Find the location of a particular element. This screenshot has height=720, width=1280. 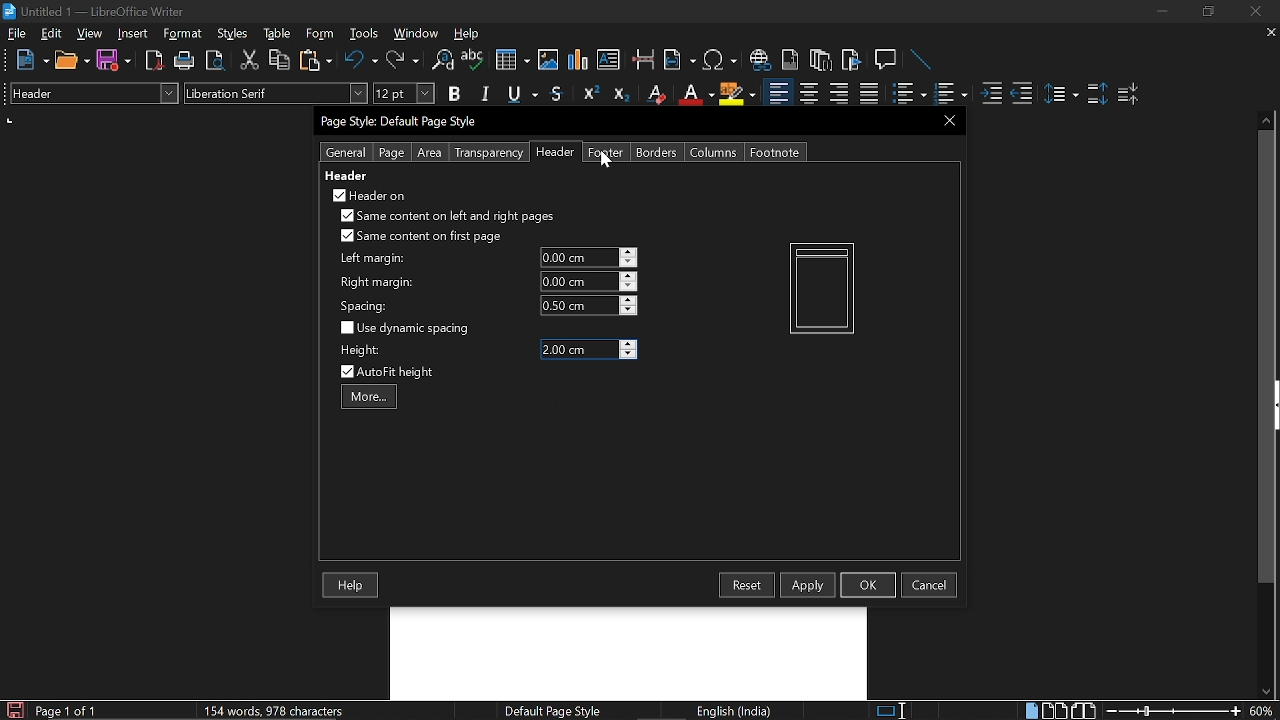

Cursor is located at coordinates (606, 158).